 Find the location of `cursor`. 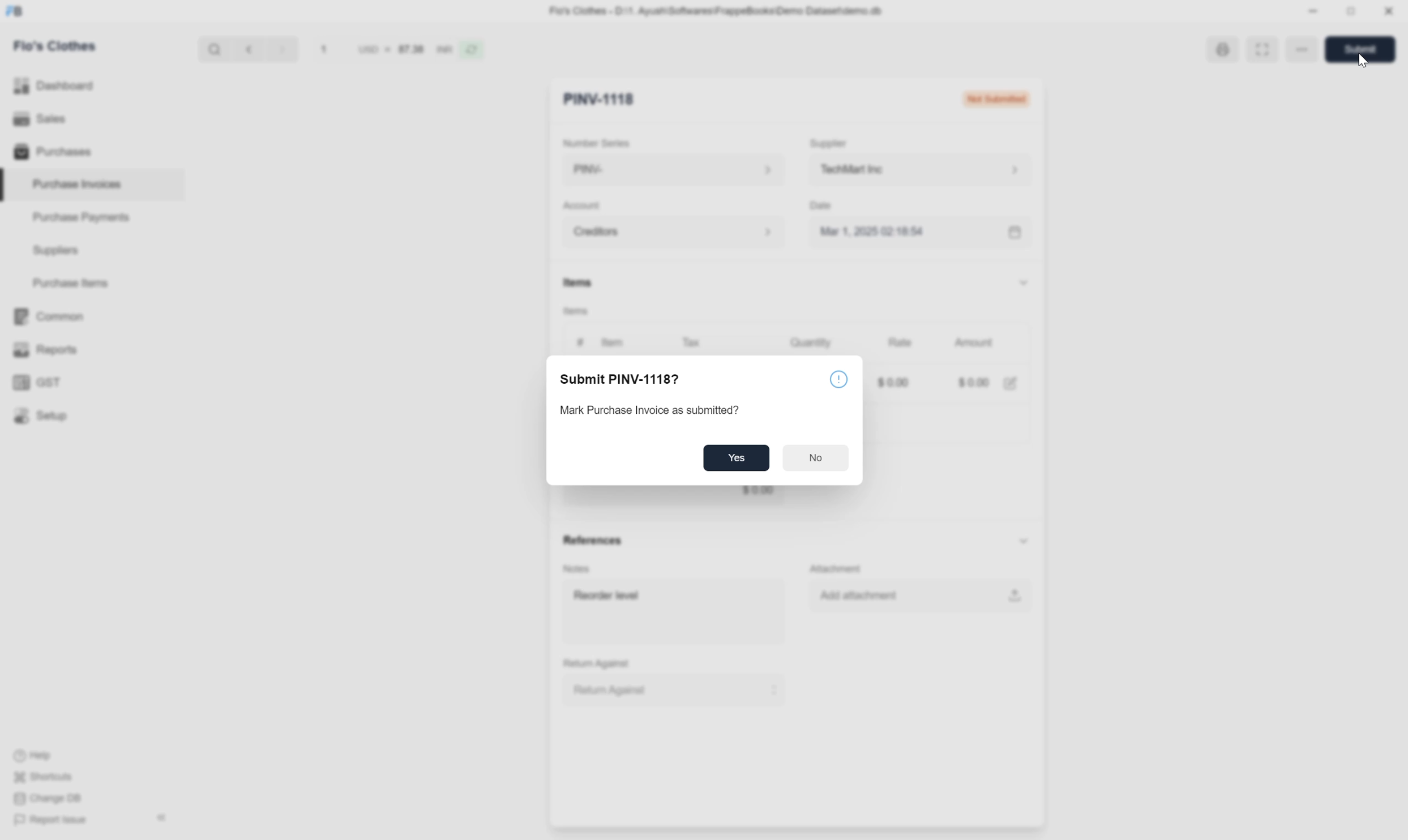

cursor is located at coordinates (1366, 63).